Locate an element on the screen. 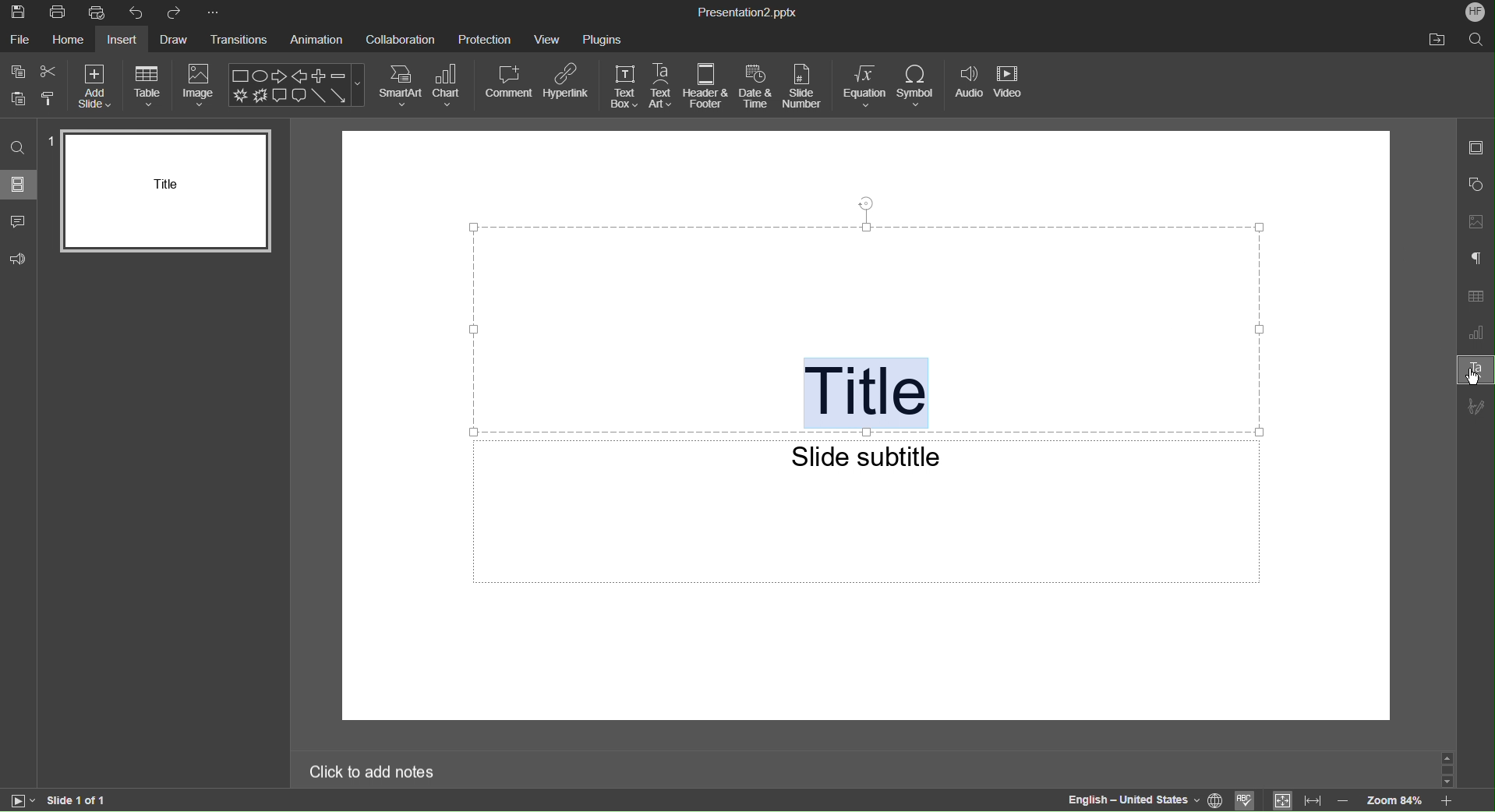  Shape Settings is located at coordinates (1477, 185).